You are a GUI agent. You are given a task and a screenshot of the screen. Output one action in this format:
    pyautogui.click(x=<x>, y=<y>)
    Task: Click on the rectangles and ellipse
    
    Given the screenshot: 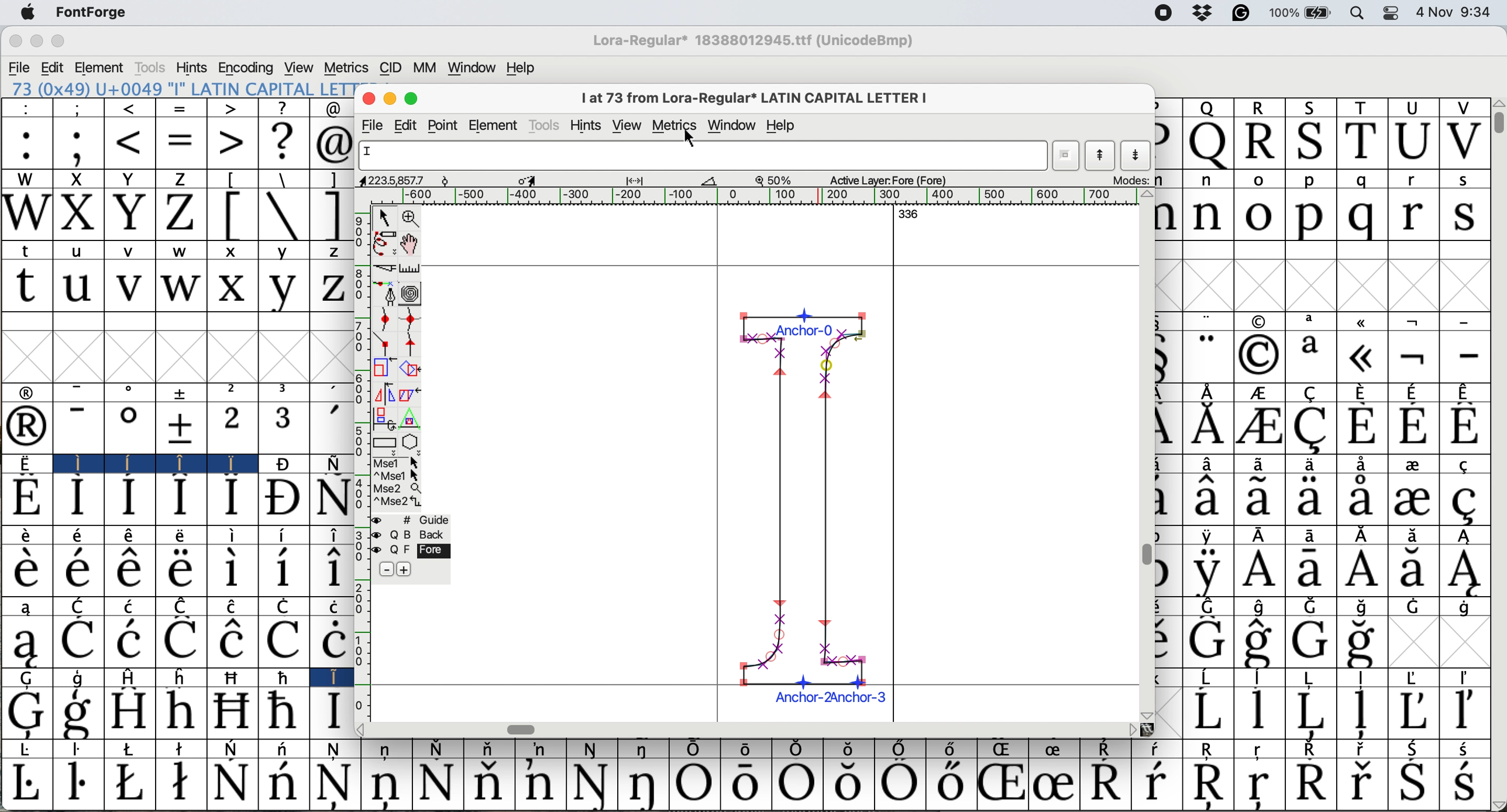 What is the action you would take?
    pyautogui.click(x=385, y=441)
    